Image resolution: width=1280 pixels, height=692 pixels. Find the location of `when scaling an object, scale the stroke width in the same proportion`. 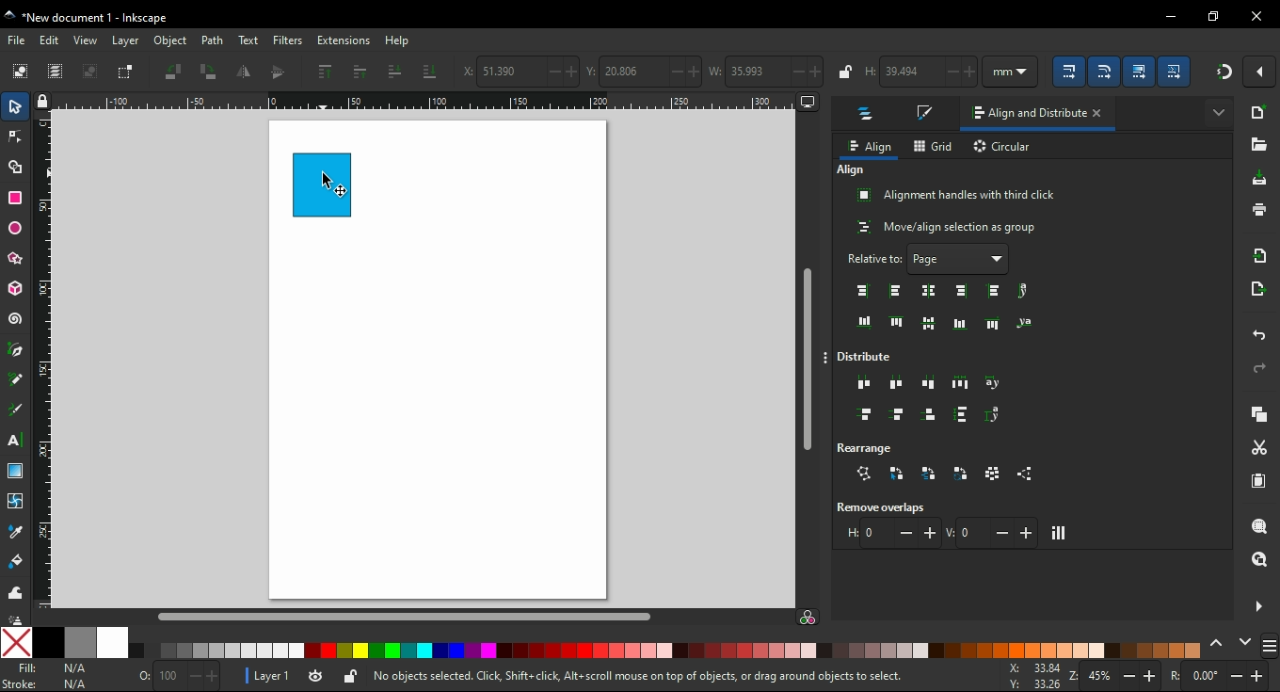

when scaling an object, scale the stroke width in the same proportion is located at coordinates (1072, 71).